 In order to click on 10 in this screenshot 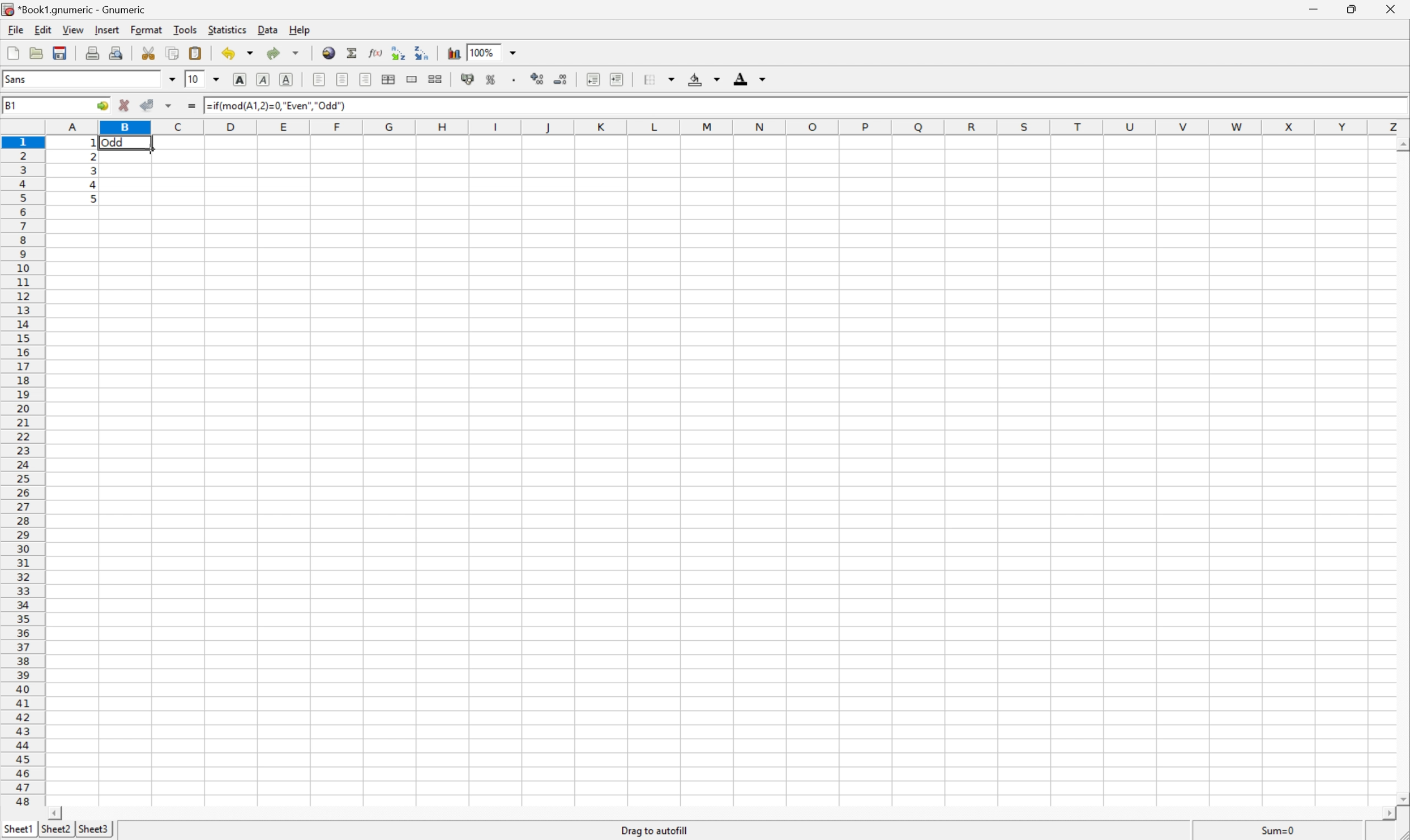, I will do `click(195, 79)`.